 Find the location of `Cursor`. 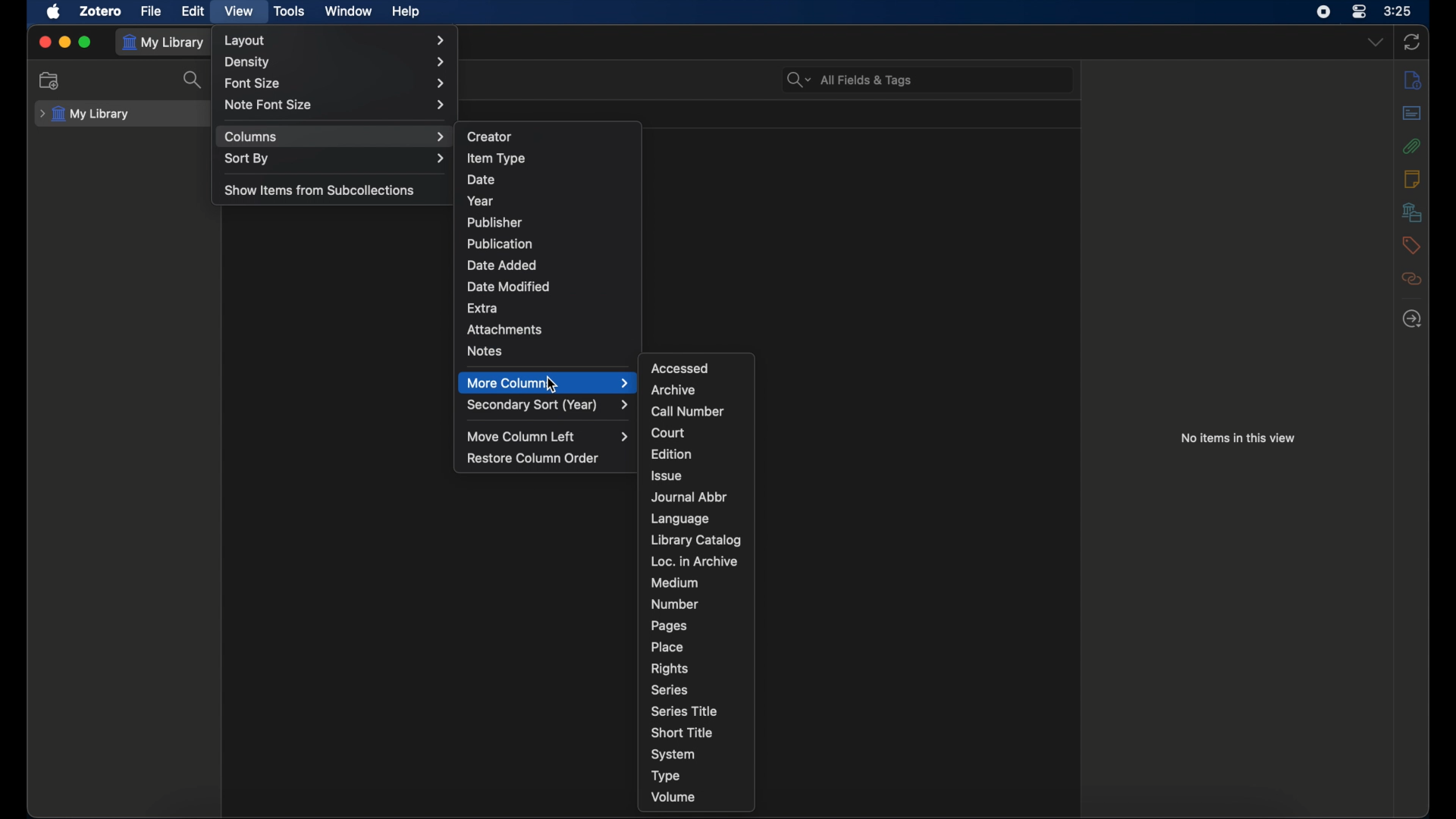

Cursor is located at coordinates (550, 385).